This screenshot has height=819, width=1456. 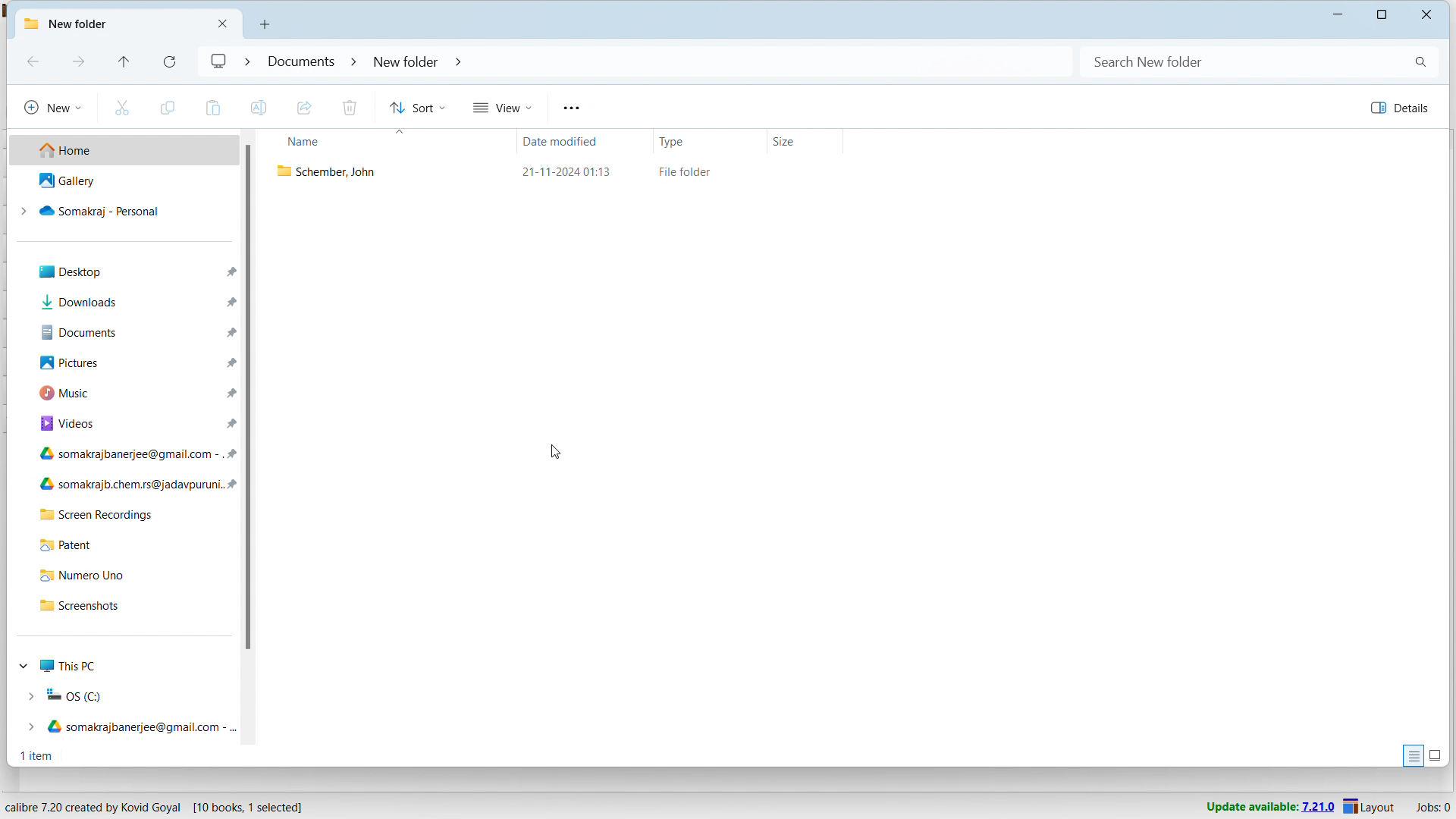 What do you see at coordinates (169, 61) in the screenshot?
I see `refresh` at bounding box center [169, 61].